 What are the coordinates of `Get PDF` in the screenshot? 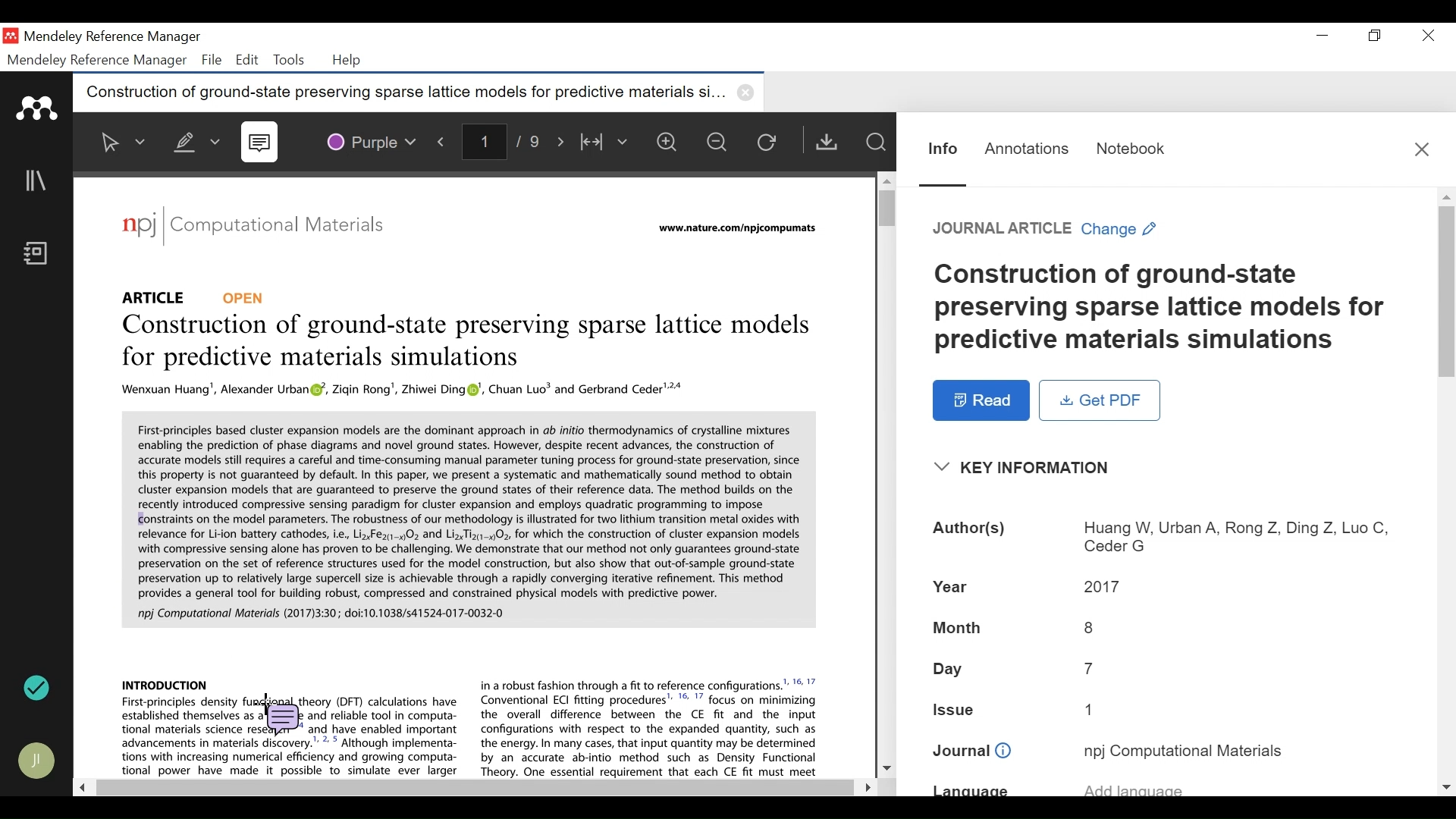 It's located at (1100, 400).